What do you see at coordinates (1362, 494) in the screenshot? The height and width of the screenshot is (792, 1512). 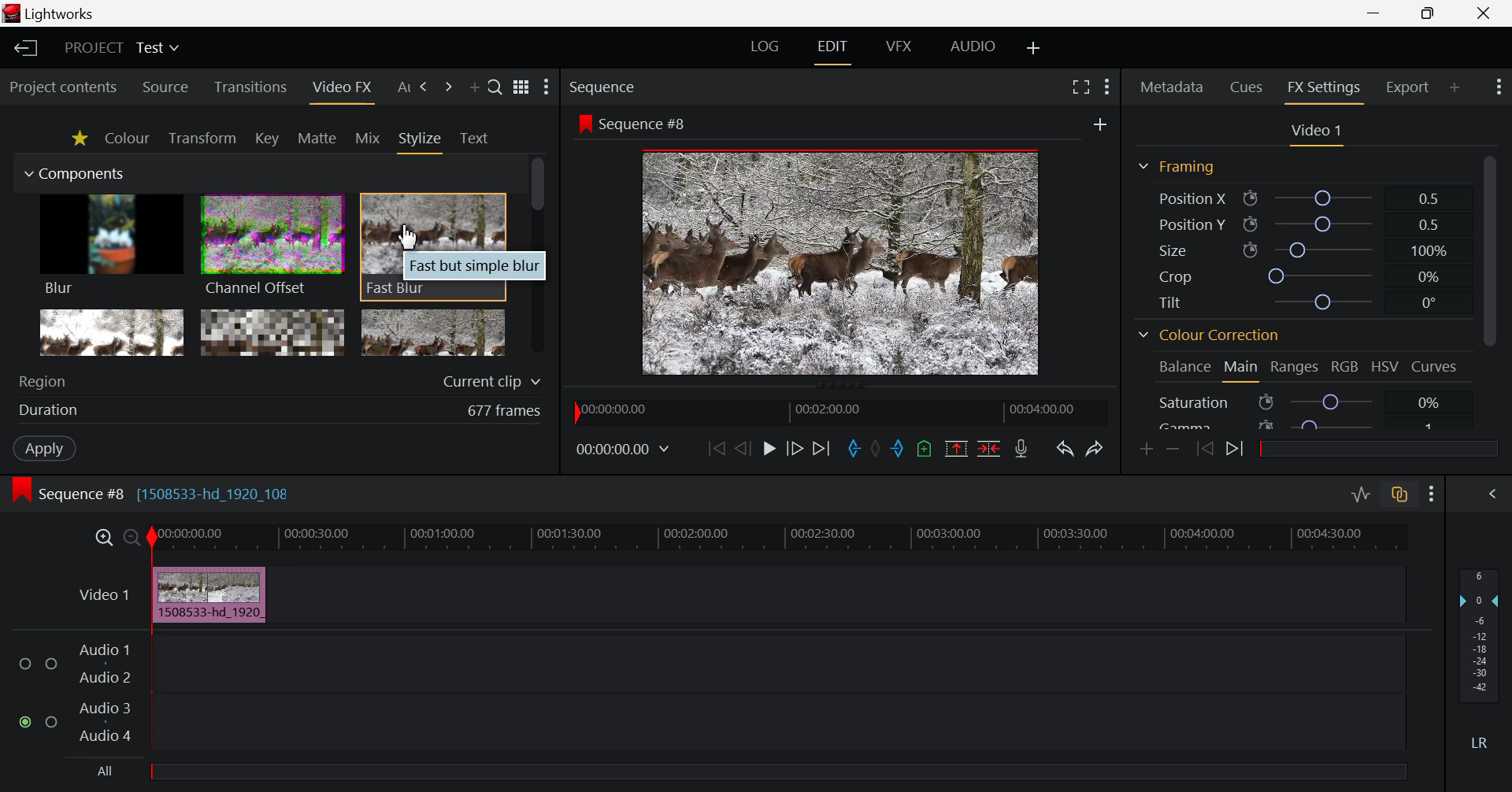 I see `Toggle Audio Levels Editing` at bounding box center [1362, 494].